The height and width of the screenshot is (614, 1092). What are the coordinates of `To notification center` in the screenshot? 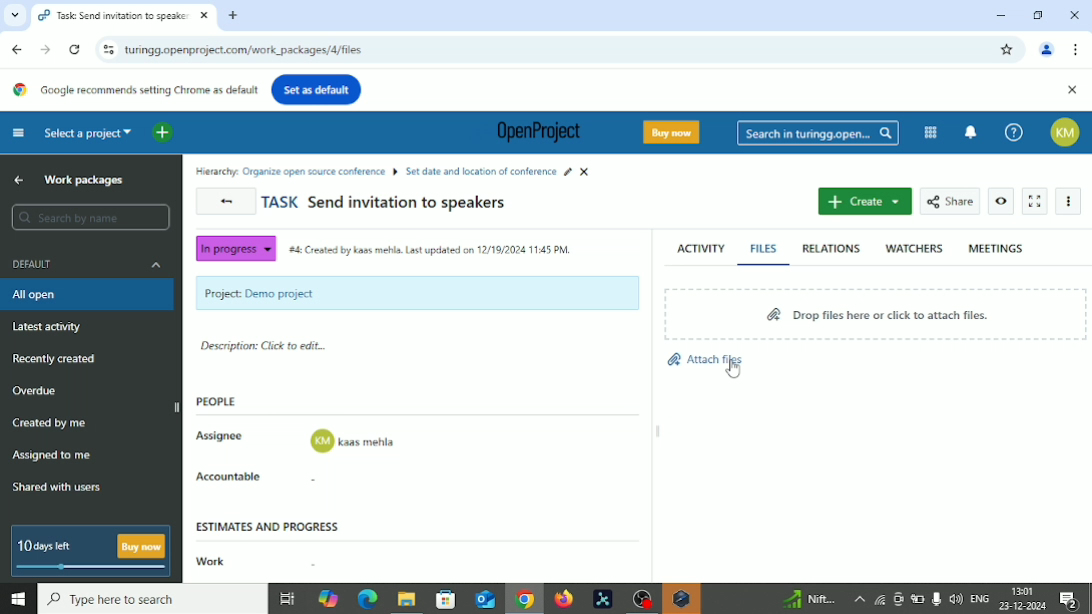 It's located at (971, 130).